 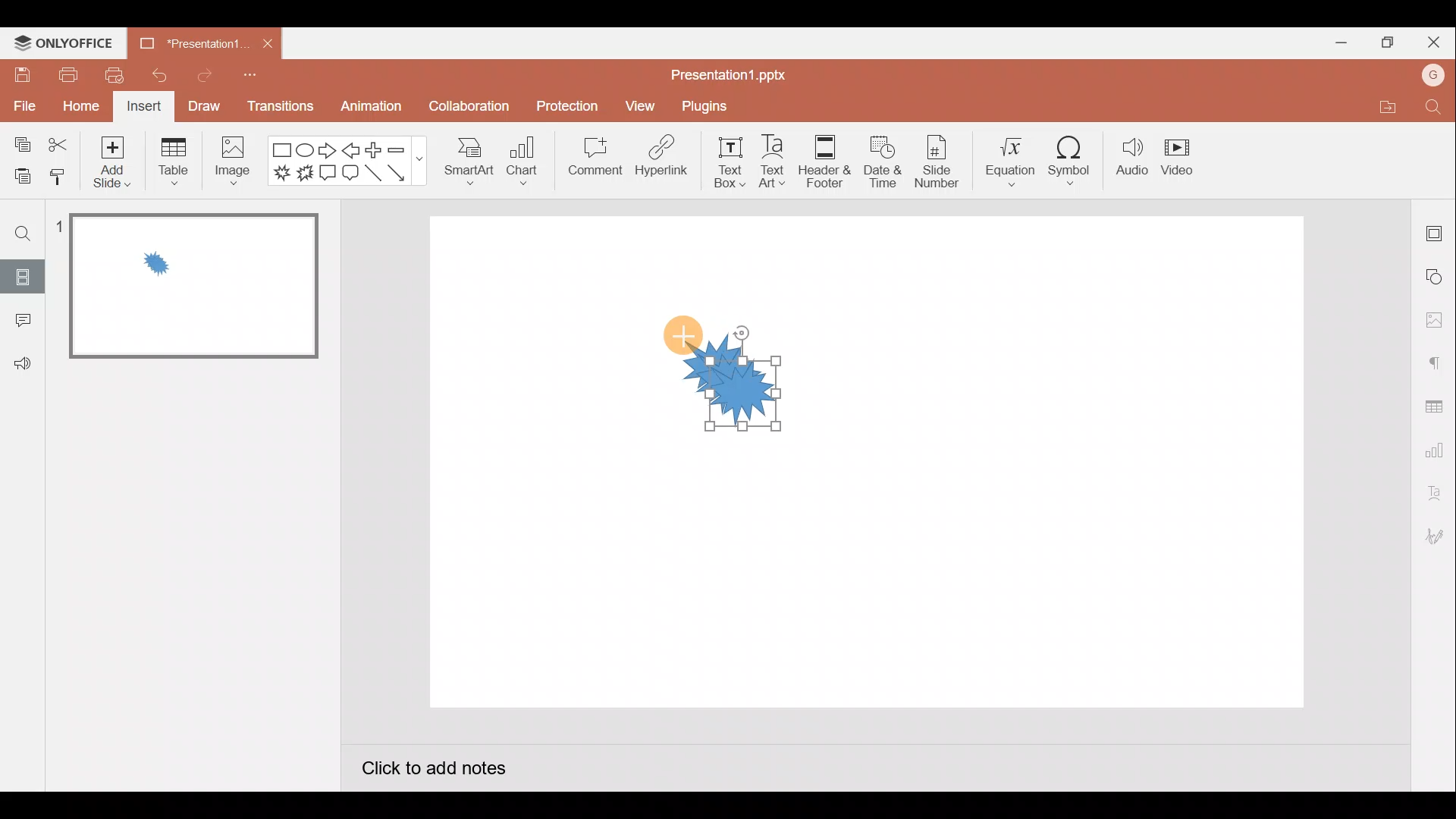 What do you see at coordinates (21, 234) in the screenshot?
I see `Find` at bounding box center [21, 234].